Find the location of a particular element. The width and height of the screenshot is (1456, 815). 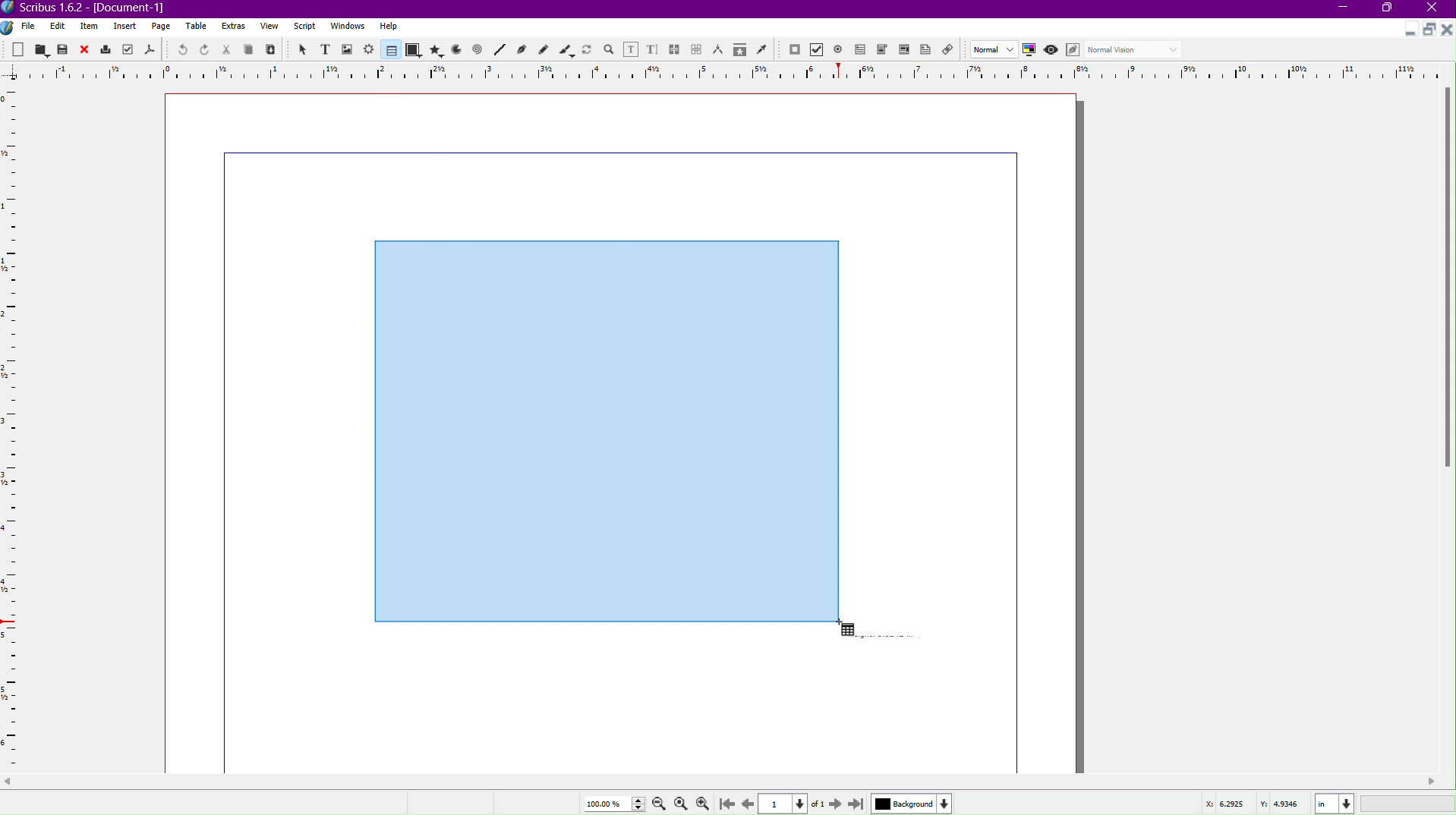

PDF Combo Box is located at coordinates (884, 51).